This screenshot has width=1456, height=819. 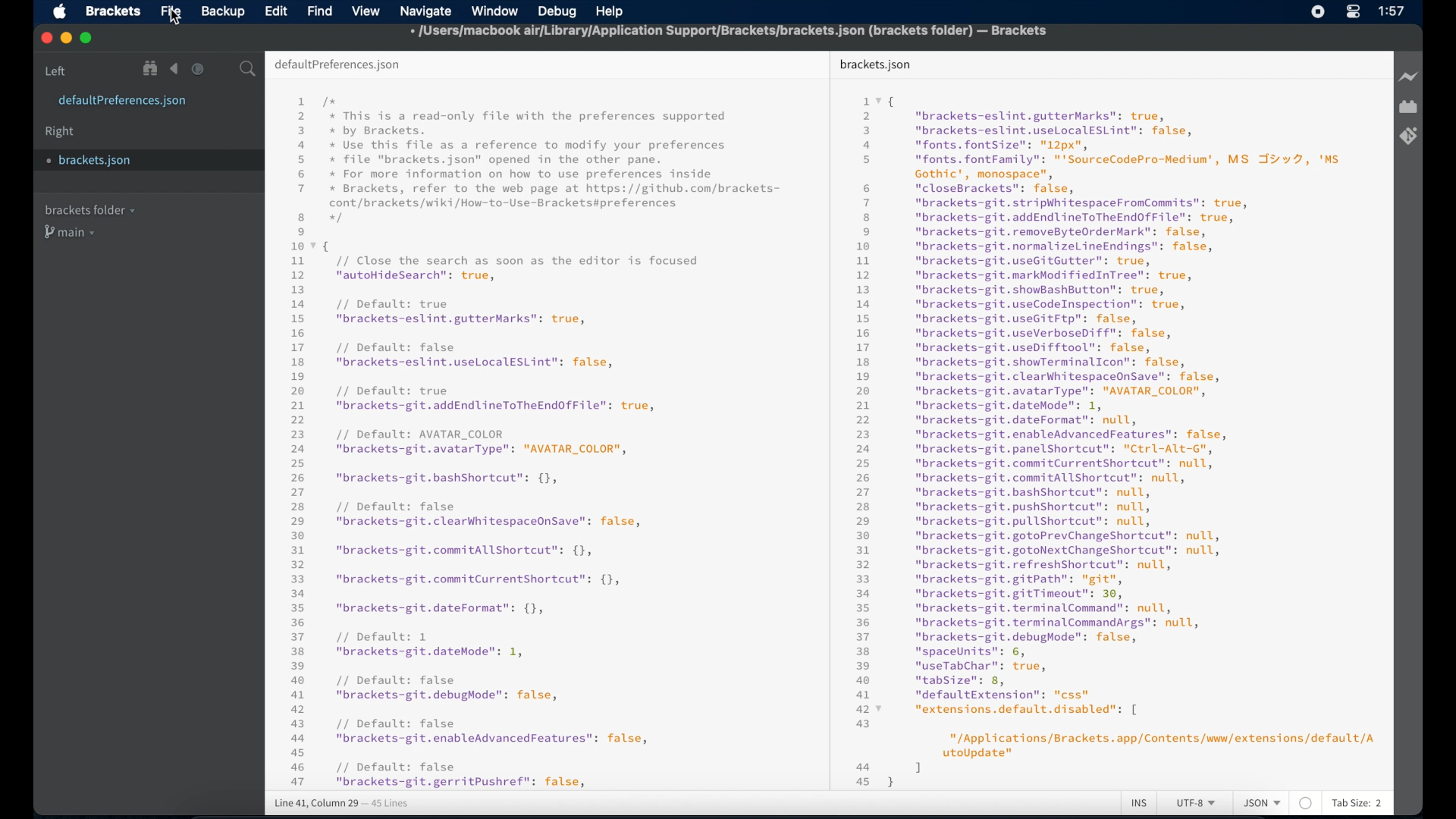 What do you see at coordinates (223, 11) in the screenshot?
I see `backup` at bounding box center [223, 11].